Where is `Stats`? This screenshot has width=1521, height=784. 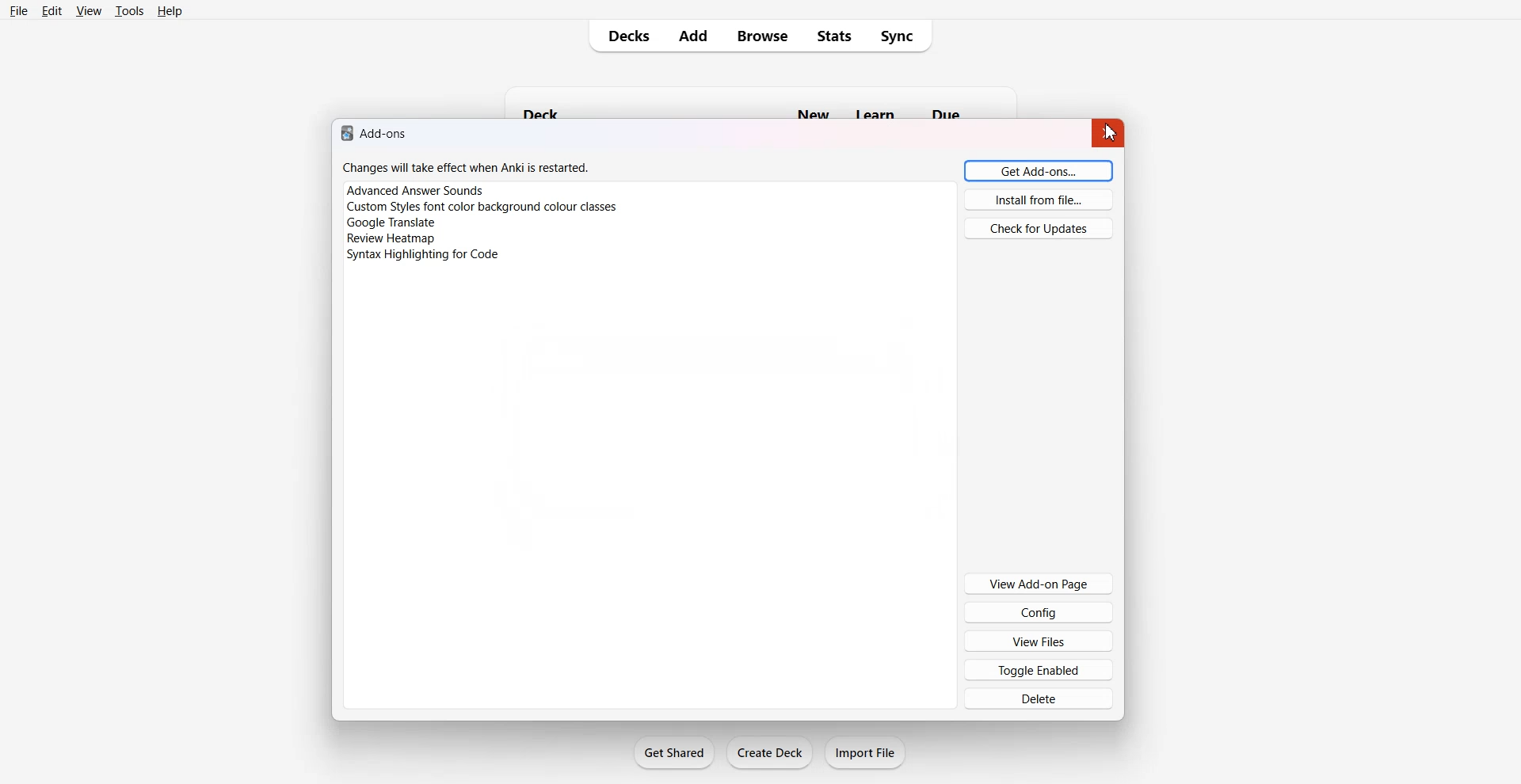
Stats is located at coordinates (838, 36).